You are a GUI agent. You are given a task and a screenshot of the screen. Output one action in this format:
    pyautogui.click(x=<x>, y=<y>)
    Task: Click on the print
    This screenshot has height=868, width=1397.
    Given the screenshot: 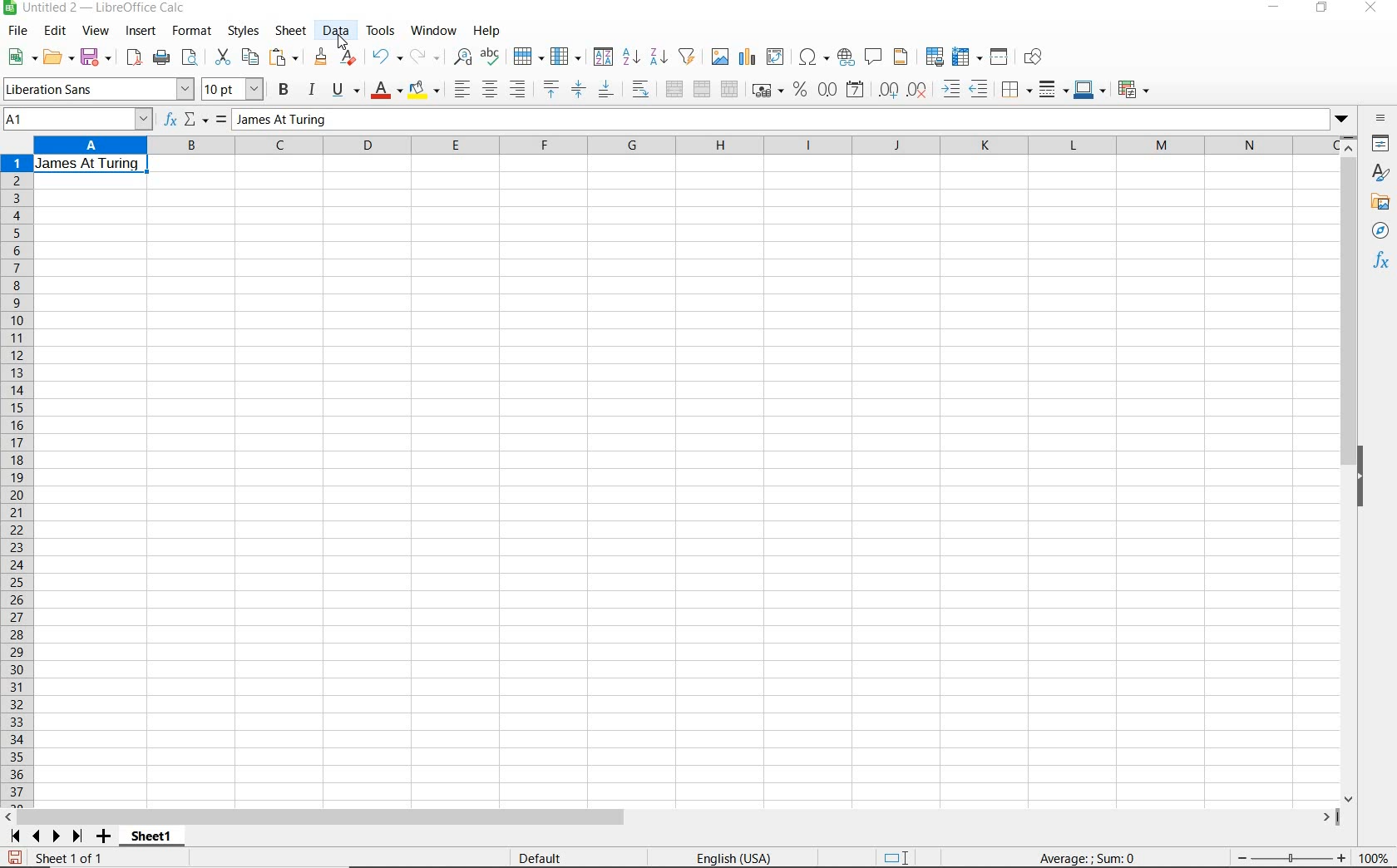 What is the action you would take?
    pyautogui.click(x=161, y=58)
    